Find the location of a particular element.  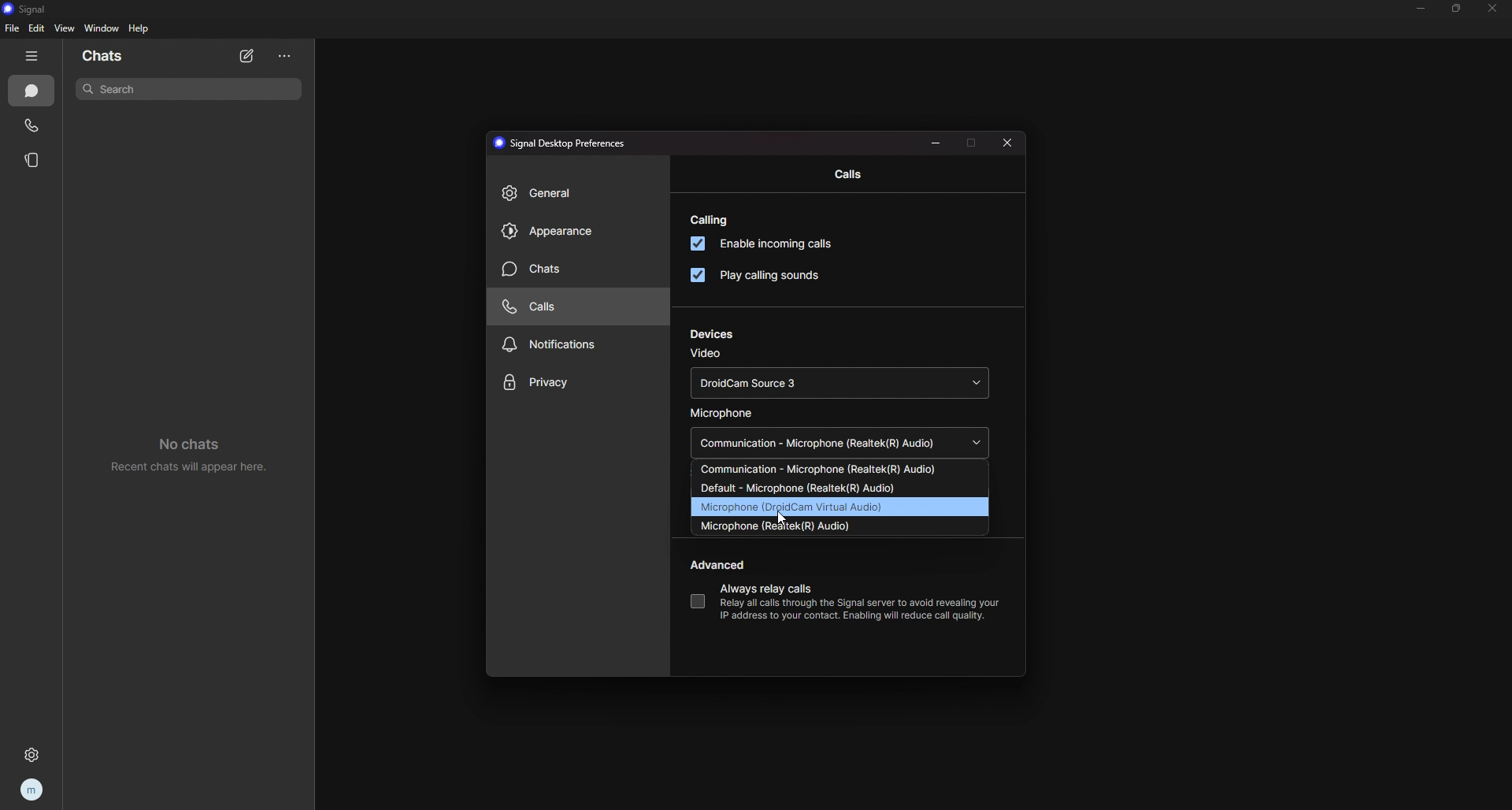

calling is located at coordinates (713, 220).